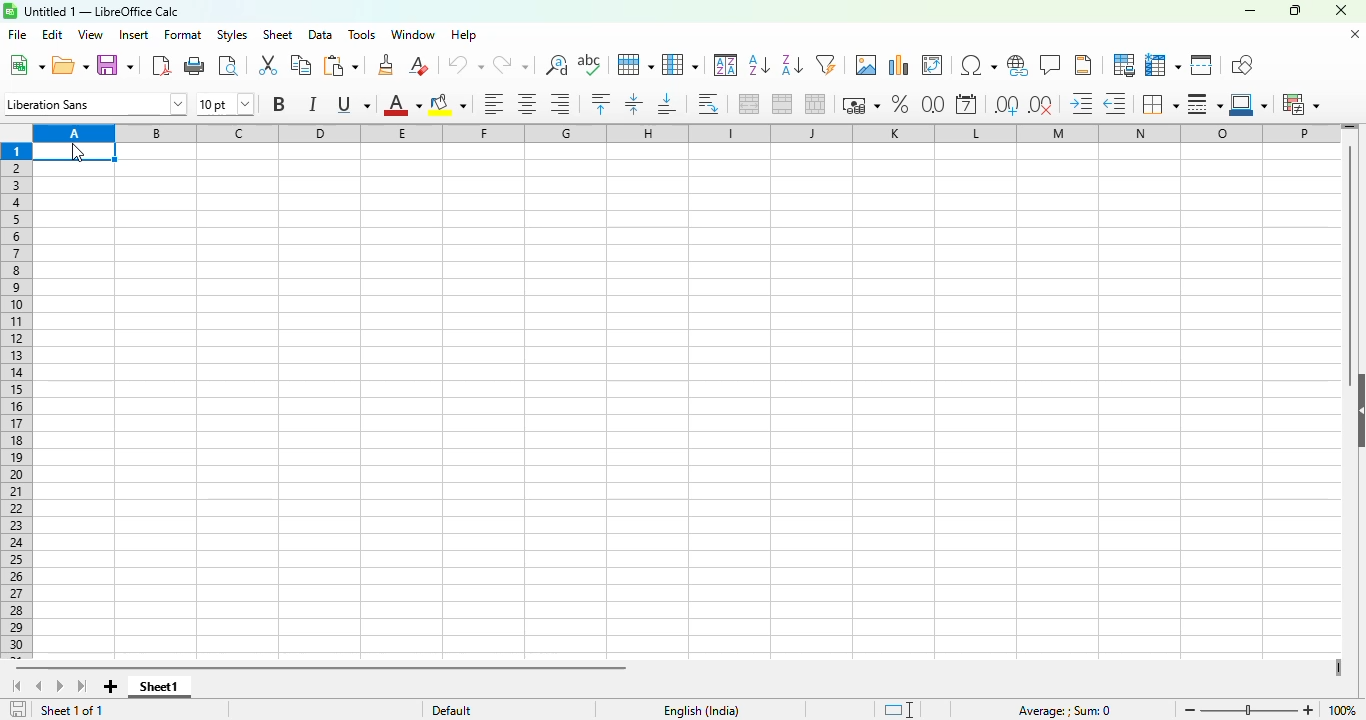 Image resolution: width=1366 pixels, height=720 pixels. Describe the element at coordinates (10, 11) in the screenshot. I see `logo` at that location.